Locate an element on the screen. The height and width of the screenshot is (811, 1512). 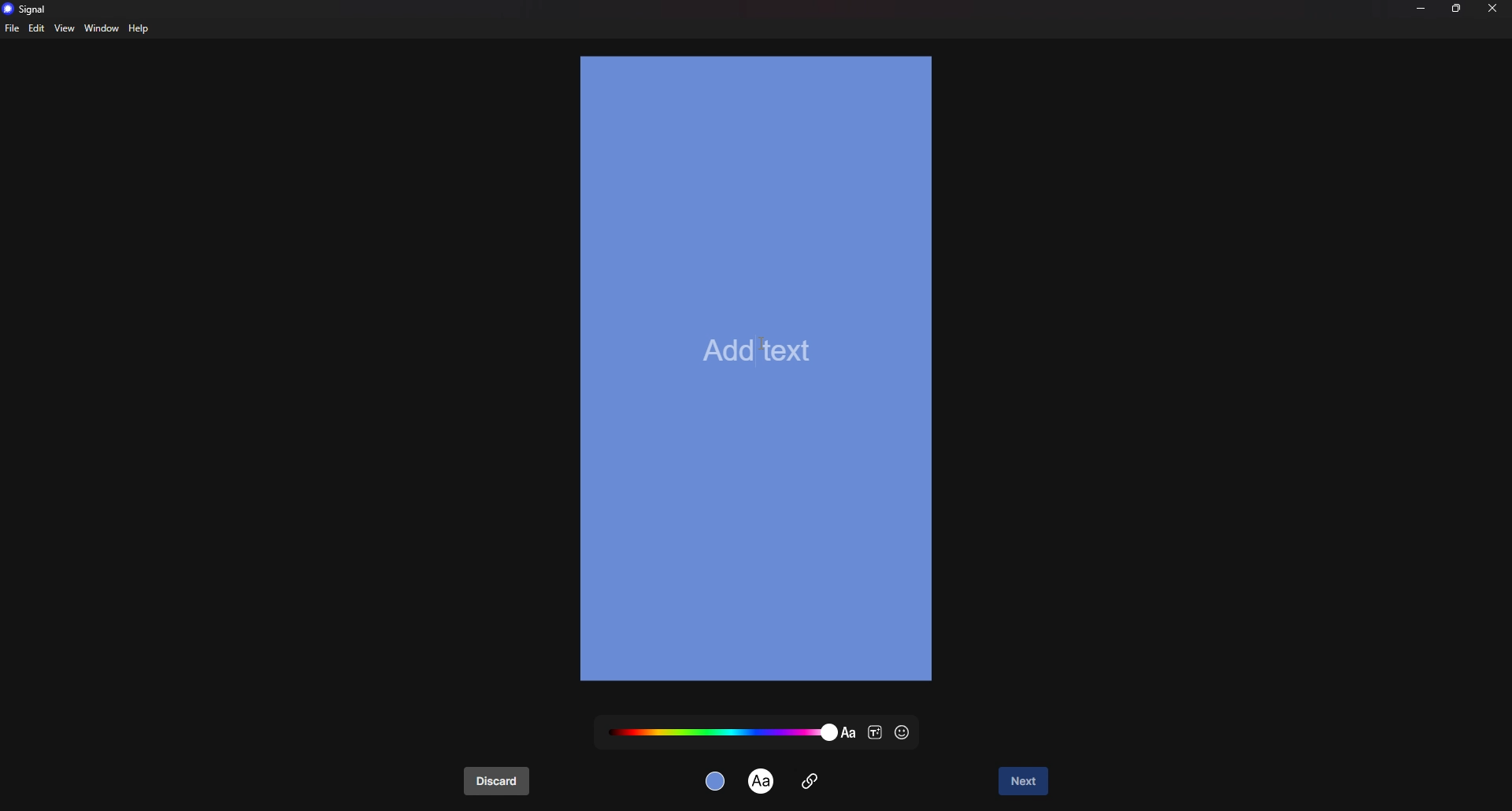
window is located at coordinates (101, 29).